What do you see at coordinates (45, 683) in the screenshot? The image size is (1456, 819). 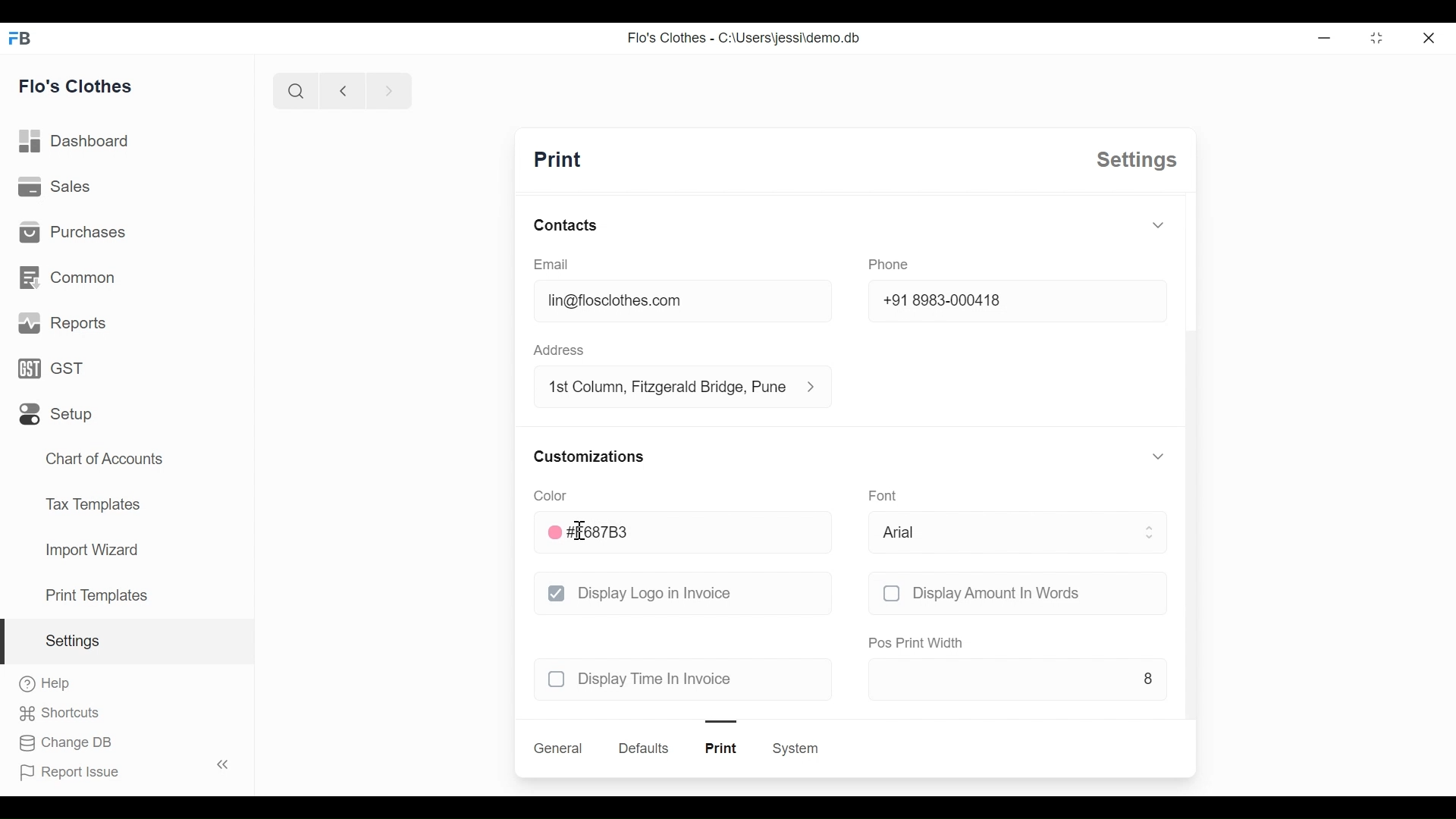 I see `help` at bounding box center [45, 683].